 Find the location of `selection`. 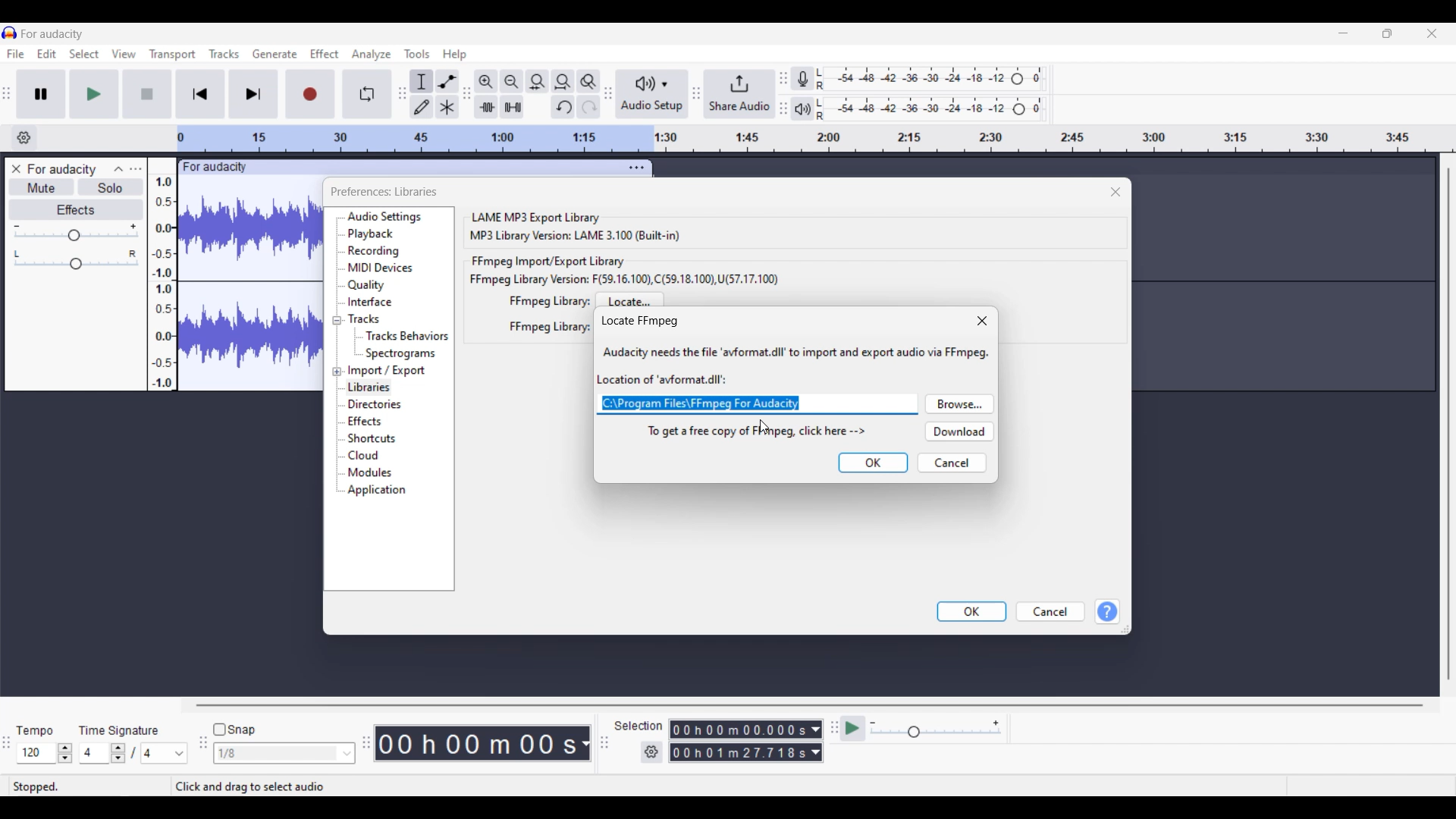

selection is located at coordinates (639, 726).